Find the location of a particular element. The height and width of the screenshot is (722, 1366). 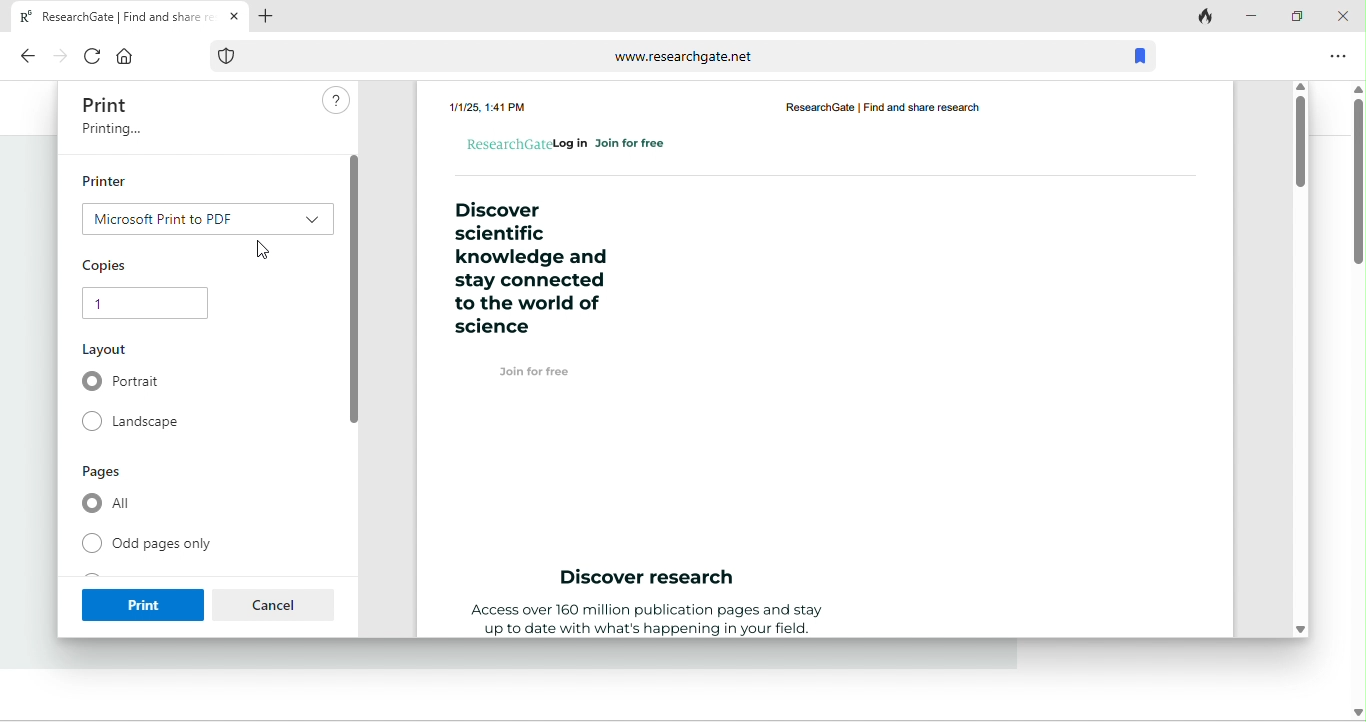

Join for free is located at coordinates (533, 371).